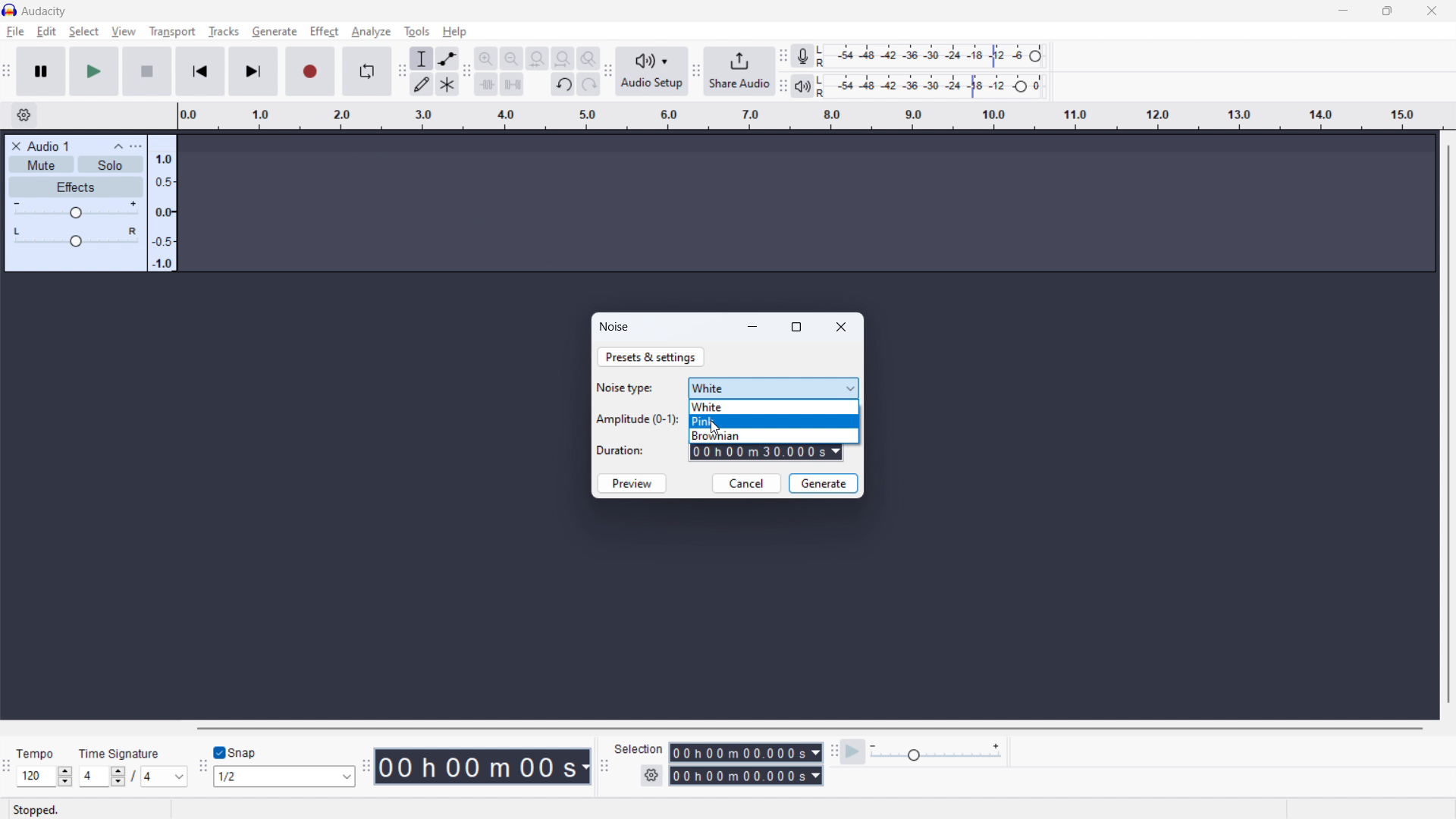 The width and height of the screenshot is (1456, 819). I want to click on Noise type, so click(627, 388).